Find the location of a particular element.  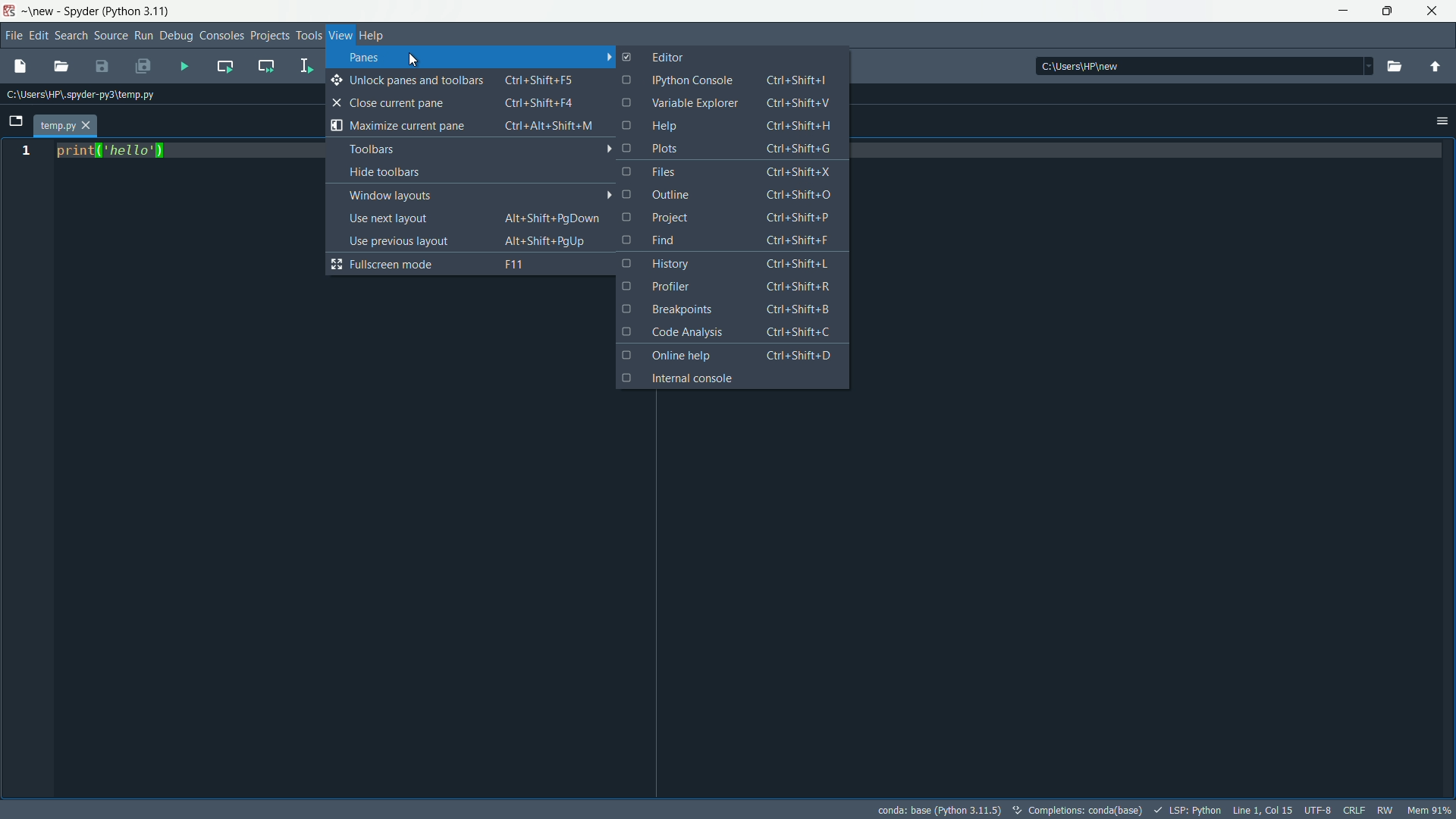

projects menu is located at coordinates (269, 35).